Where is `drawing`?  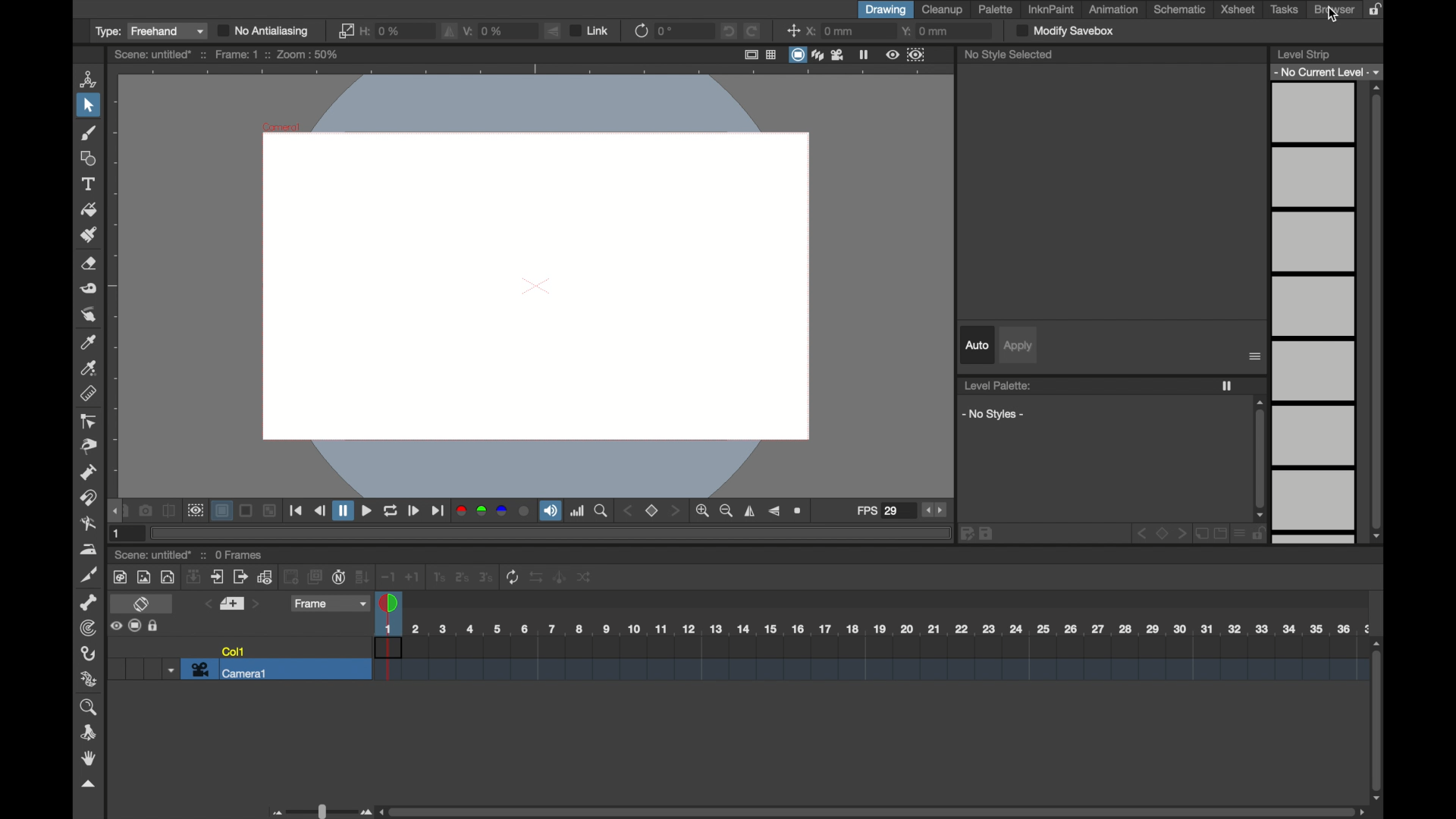
drawing is located at coordinates (886, 10).